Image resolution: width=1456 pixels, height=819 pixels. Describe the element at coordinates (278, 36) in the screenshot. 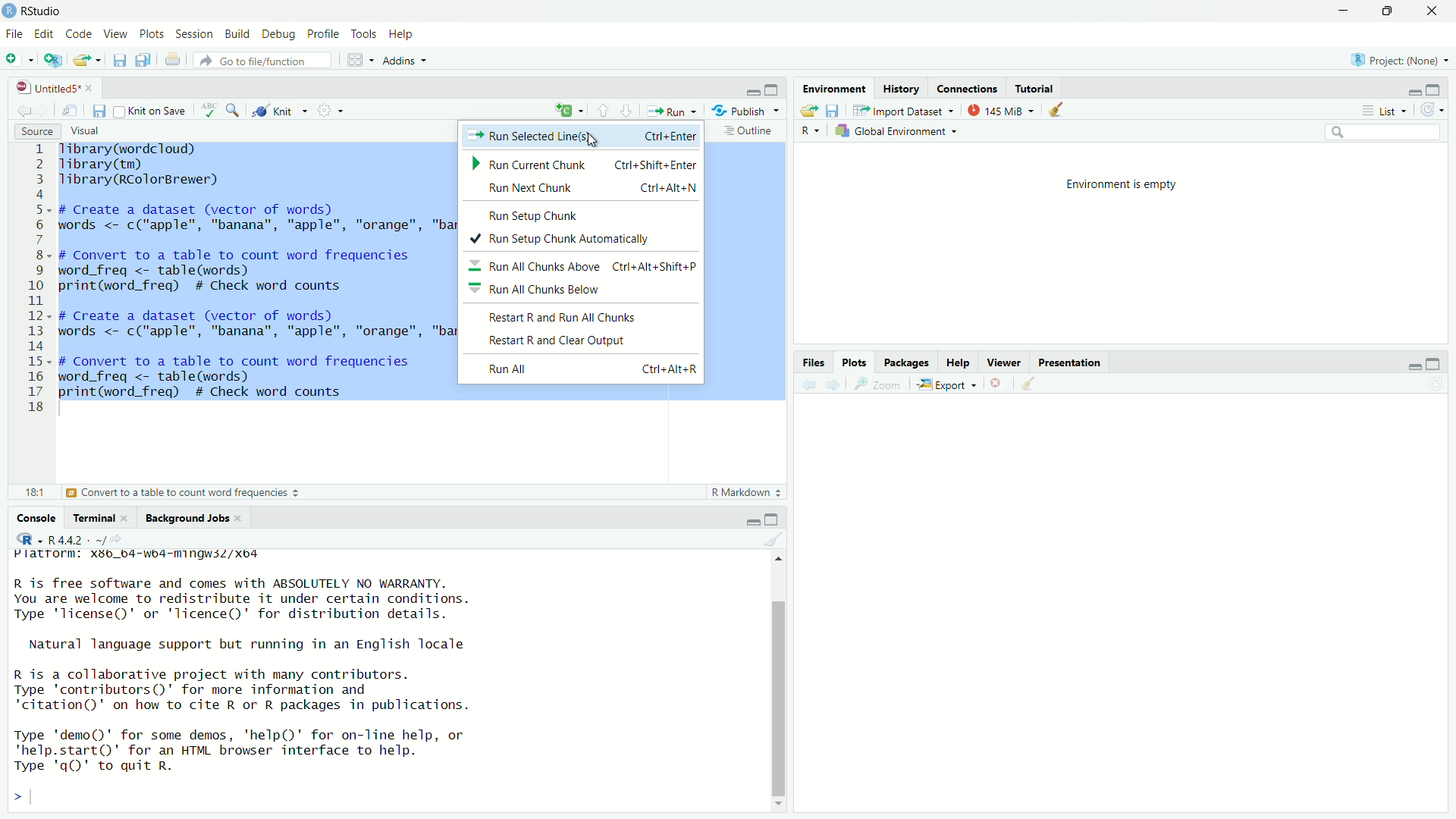

I see `Debug` at that location.